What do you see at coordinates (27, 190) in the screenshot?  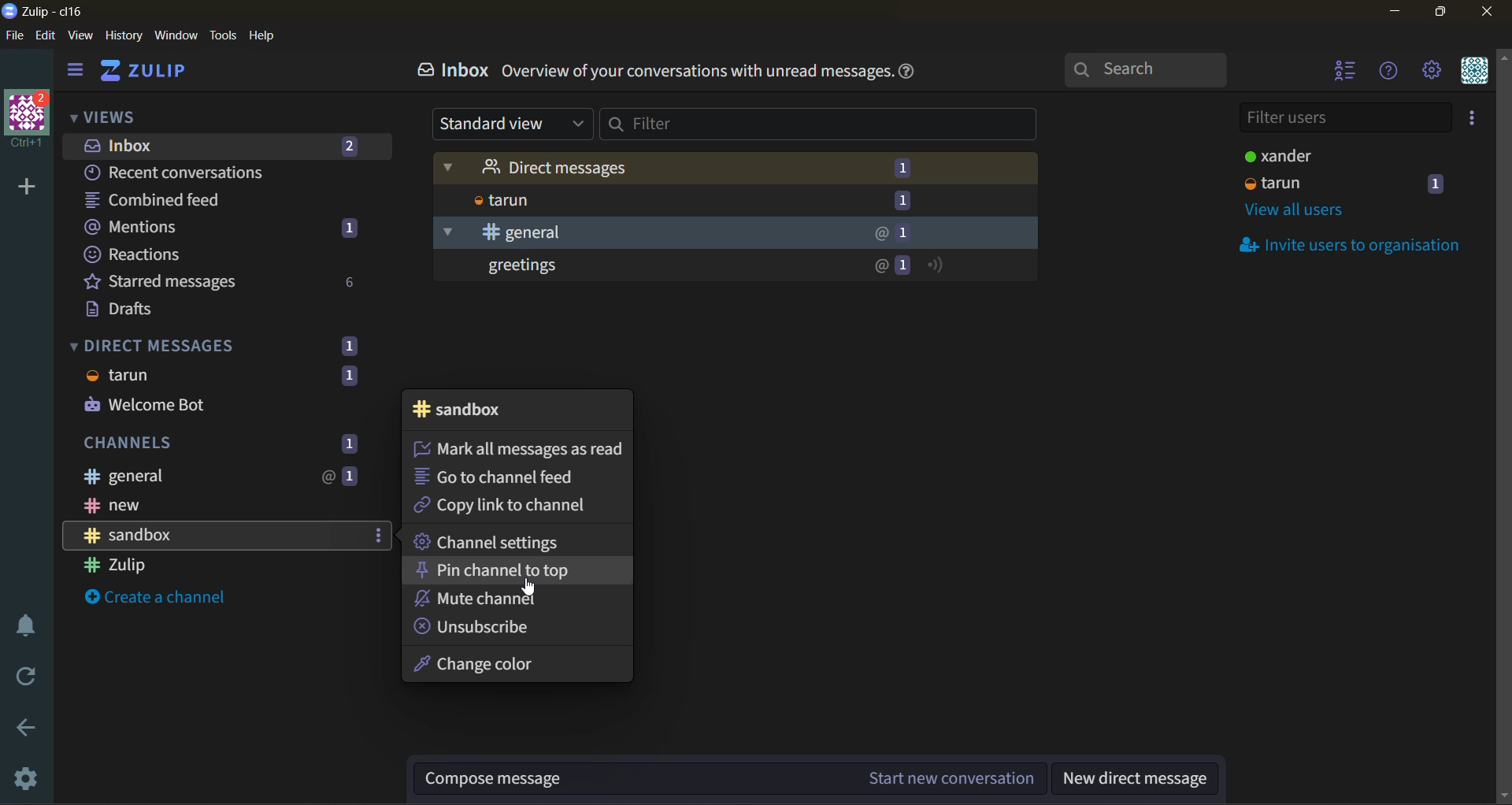 I see `add a new organisation` at bounding box center [27, 190].